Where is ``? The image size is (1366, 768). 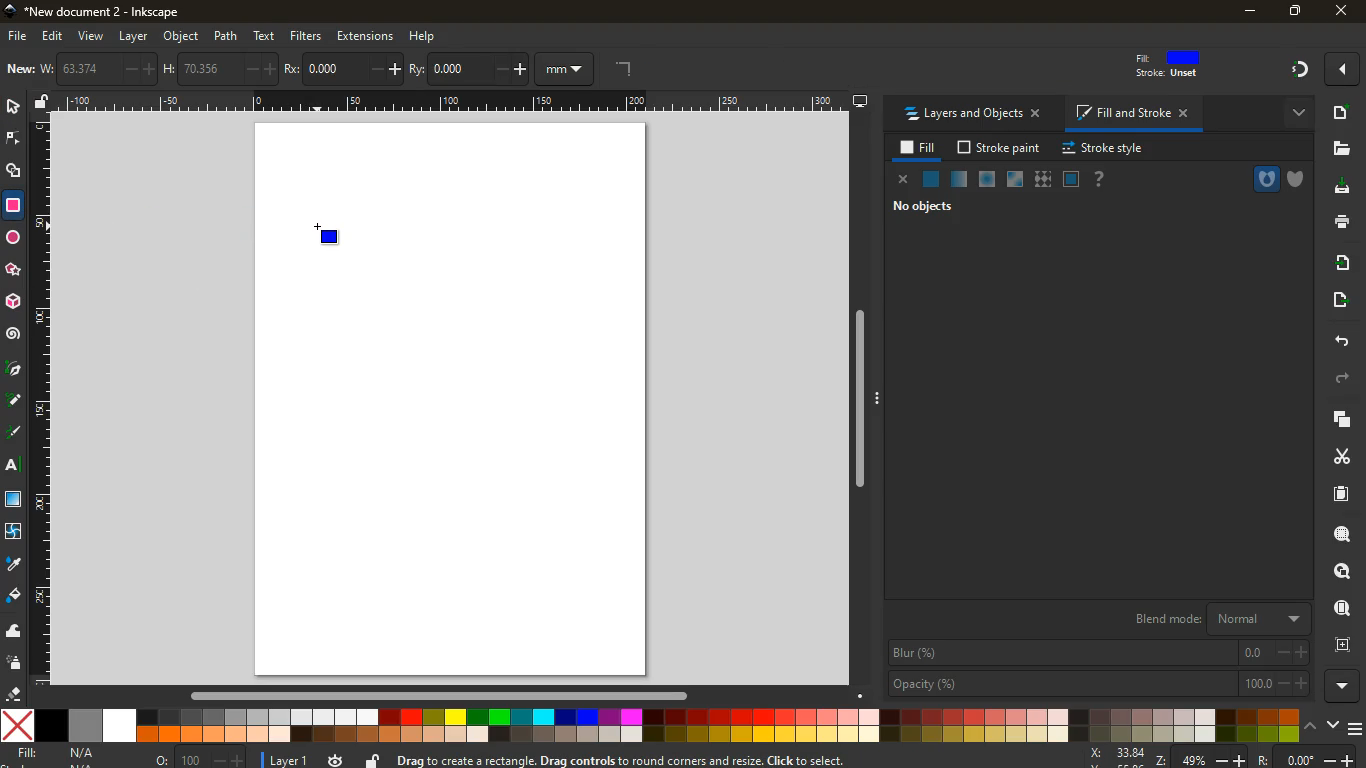
 is located at coordinates (447, 691).